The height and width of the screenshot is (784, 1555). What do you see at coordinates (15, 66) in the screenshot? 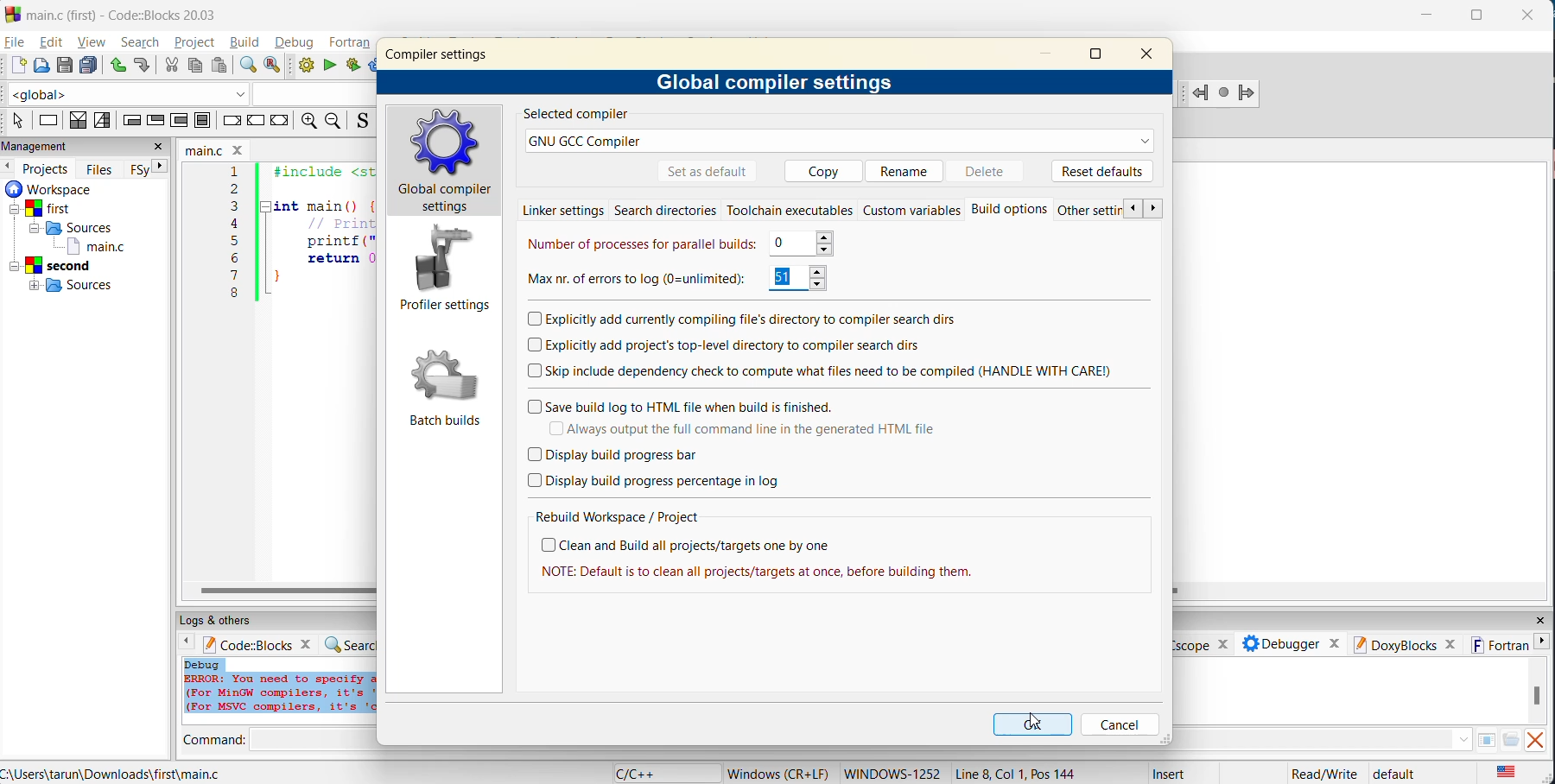
I see `new` at bounding box center [15, 66].